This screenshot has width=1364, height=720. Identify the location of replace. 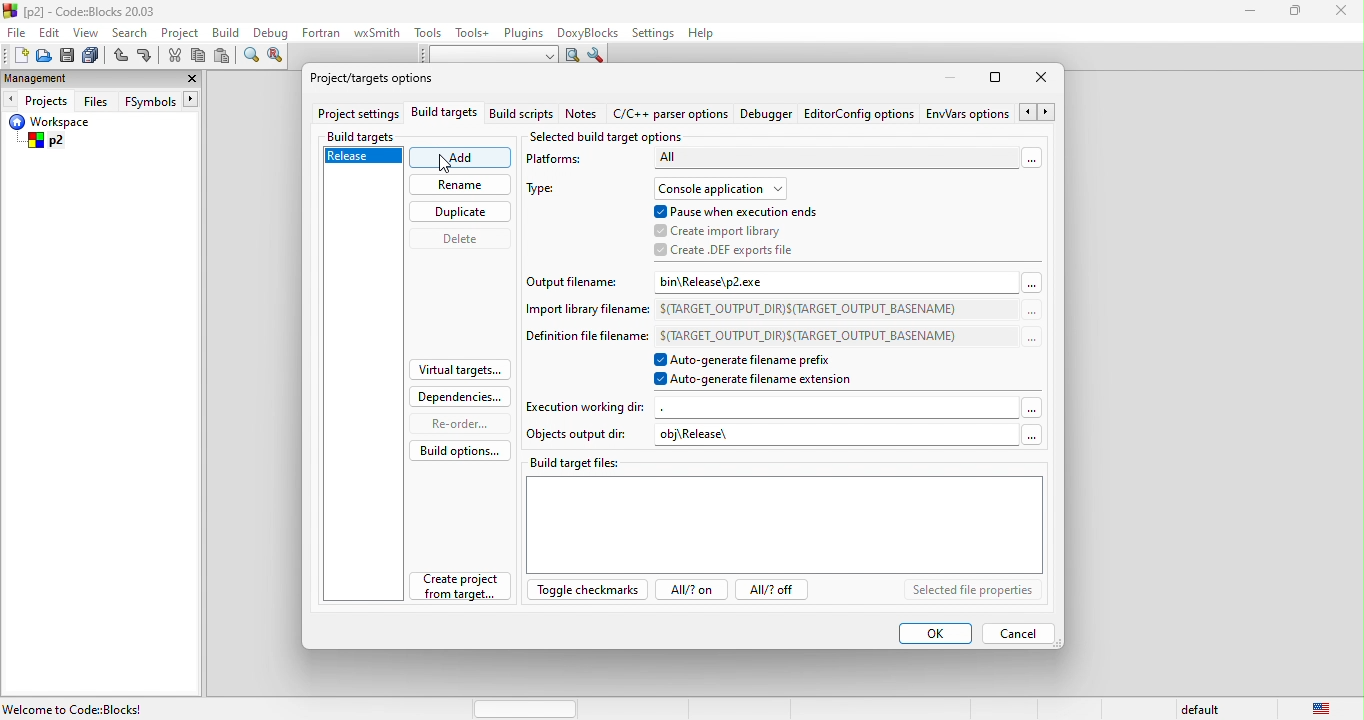
(279, 56).